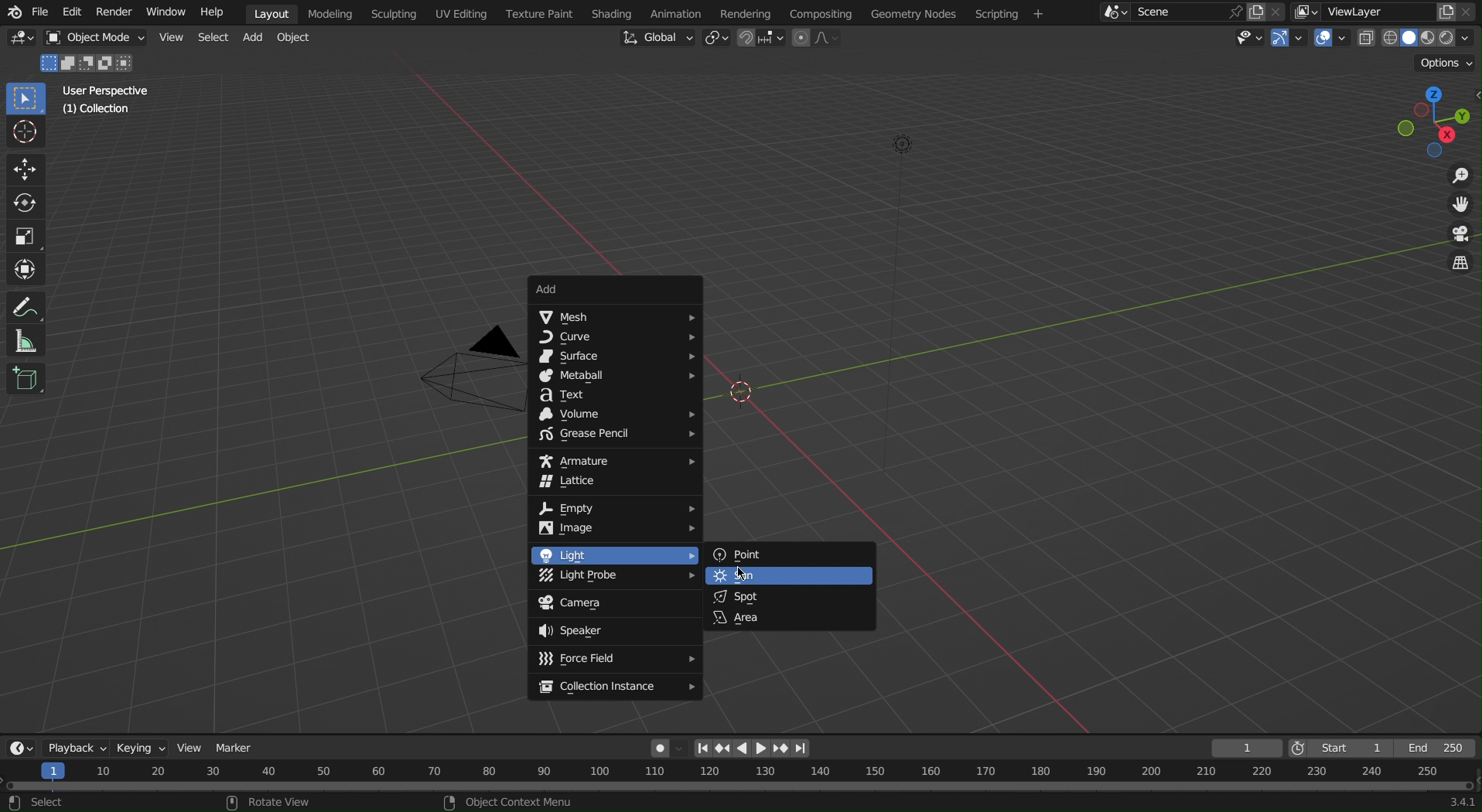 The image size is (1482, 812). What do you see at coordinates (907, 144) in the screenshot?
I see `Brightness` at bounding box center [907, 144].